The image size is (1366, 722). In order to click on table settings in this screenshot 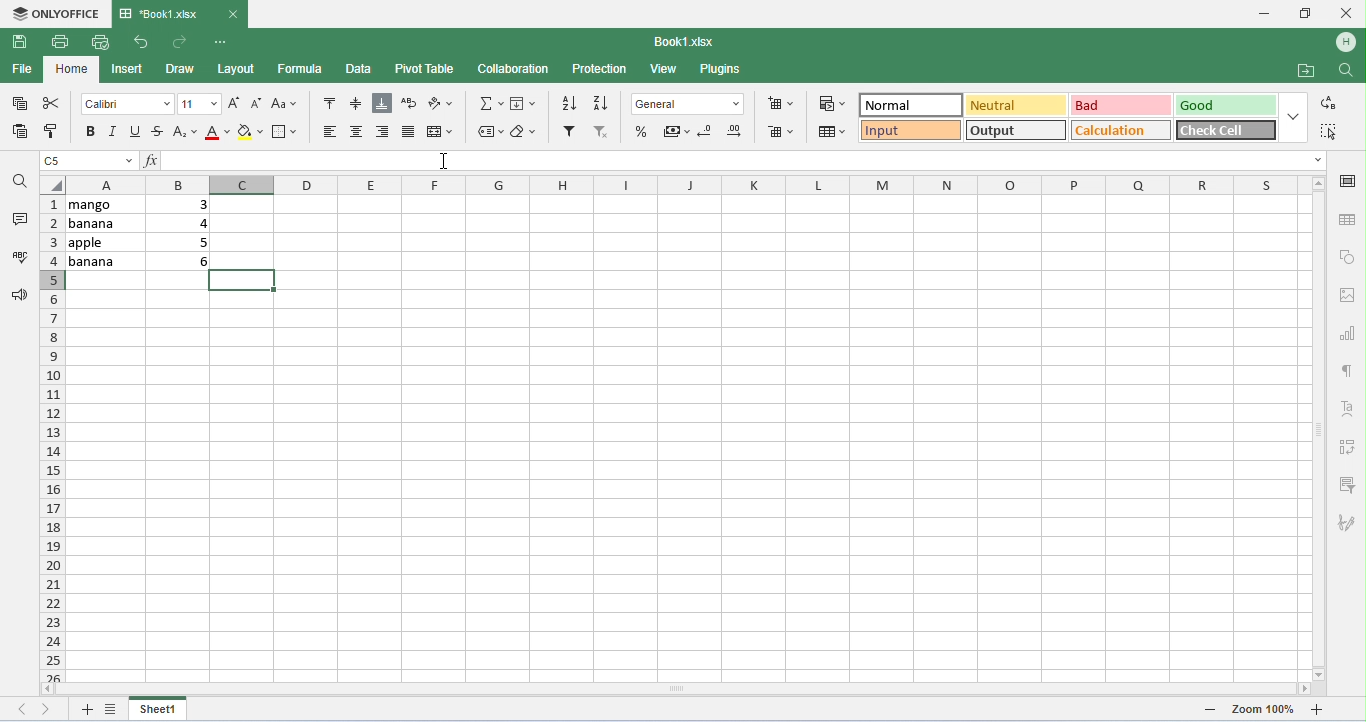, I will do `click(1347, 219)`.